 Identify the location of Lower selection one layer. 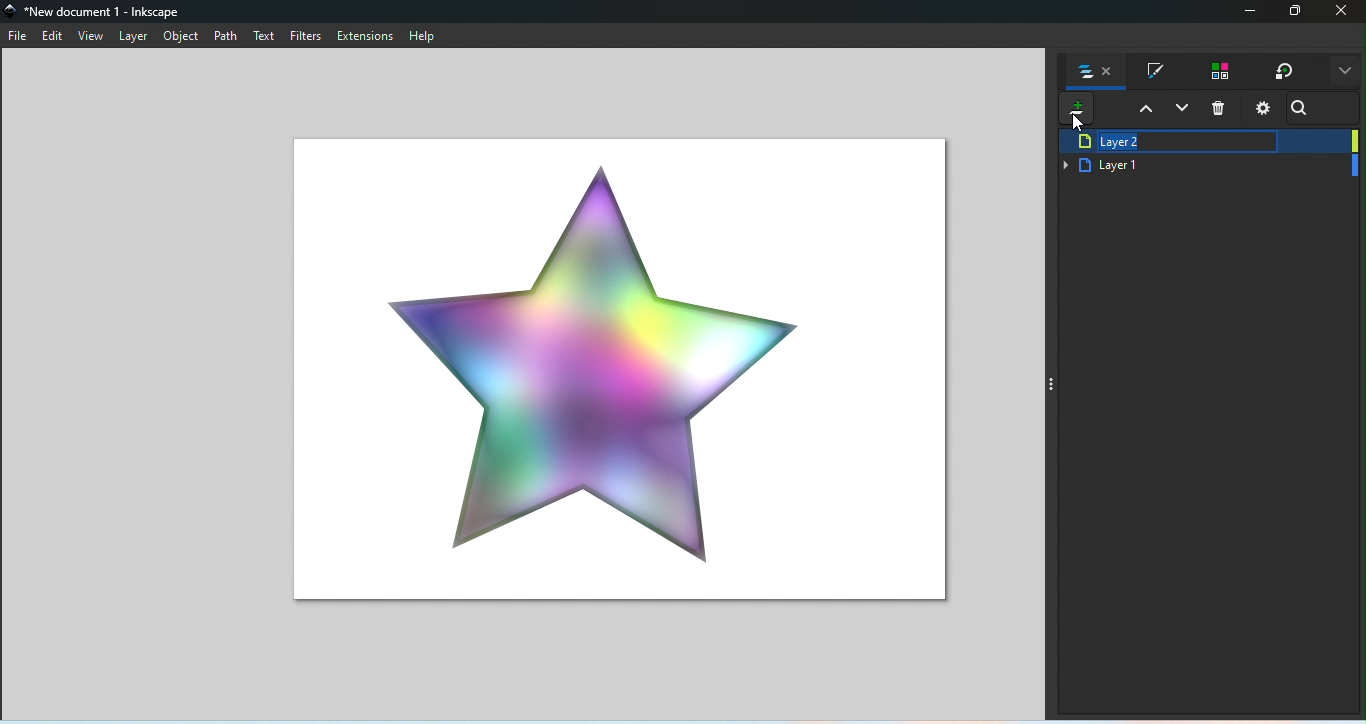
(1183, 110).